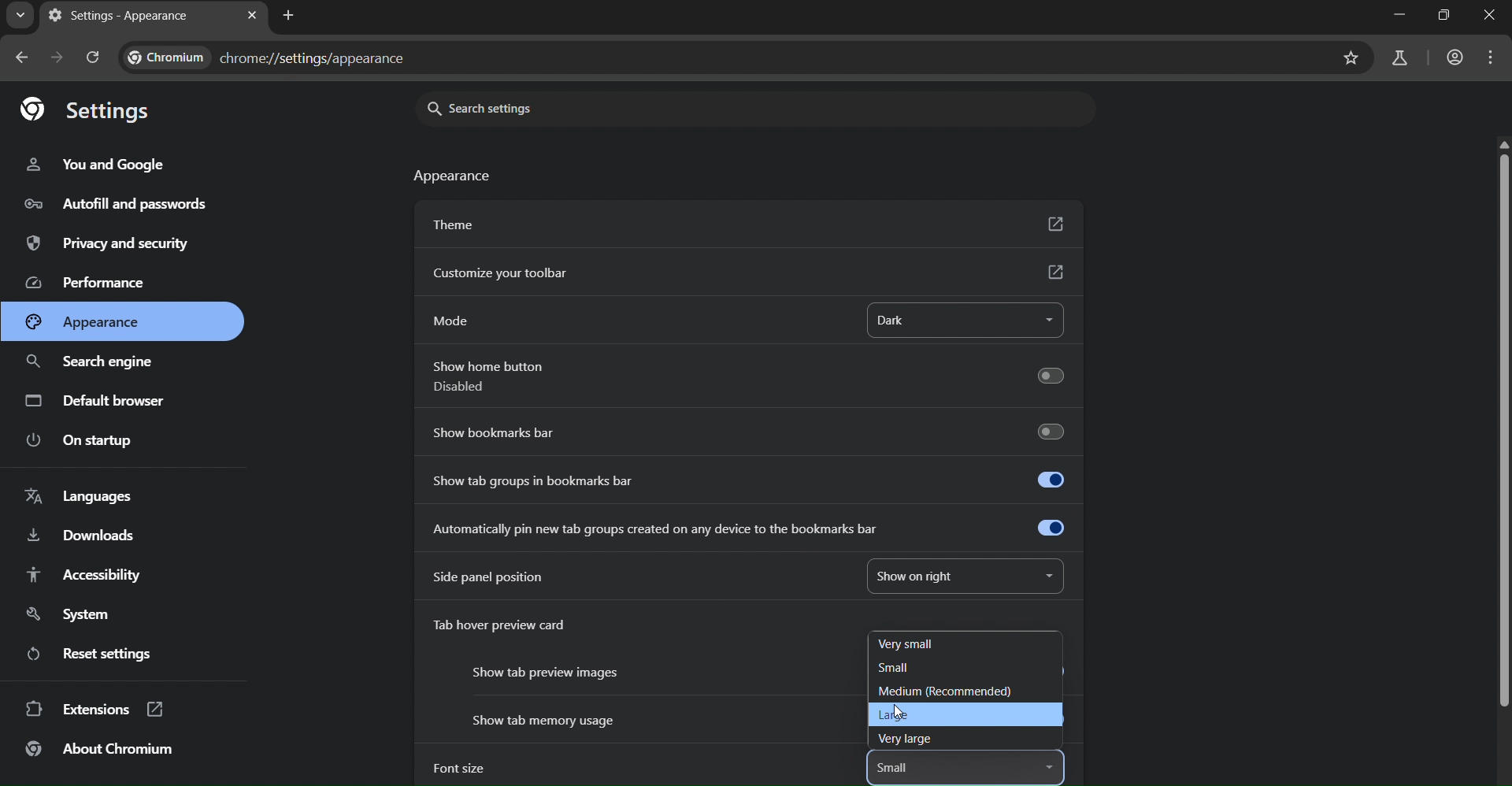  What do you see at coordinates (1403, 15) in the screenshot?
I see `minimize` at bounding box center [1403, 15].